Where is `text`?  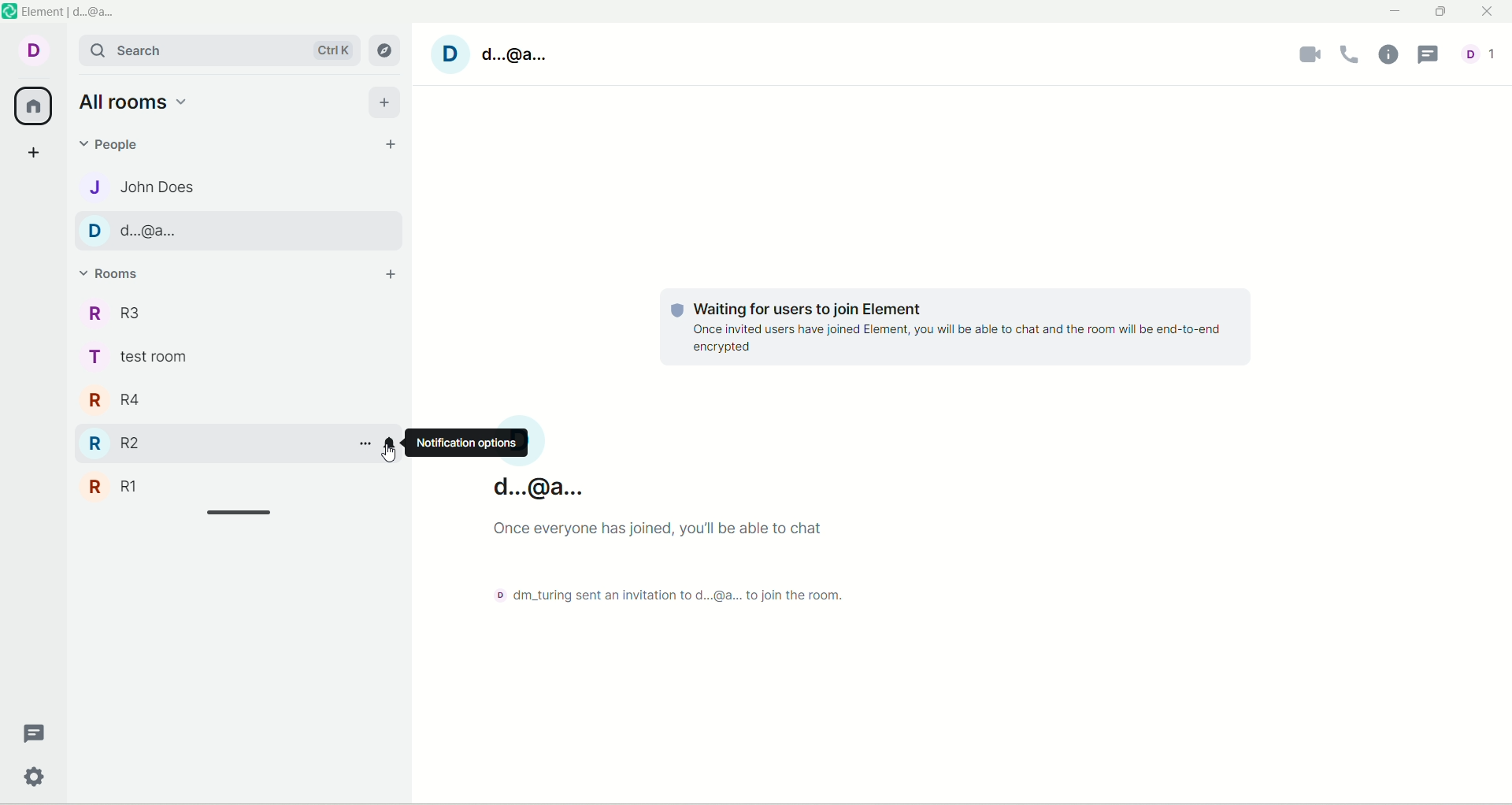 text is located at coordinates (946, 328).